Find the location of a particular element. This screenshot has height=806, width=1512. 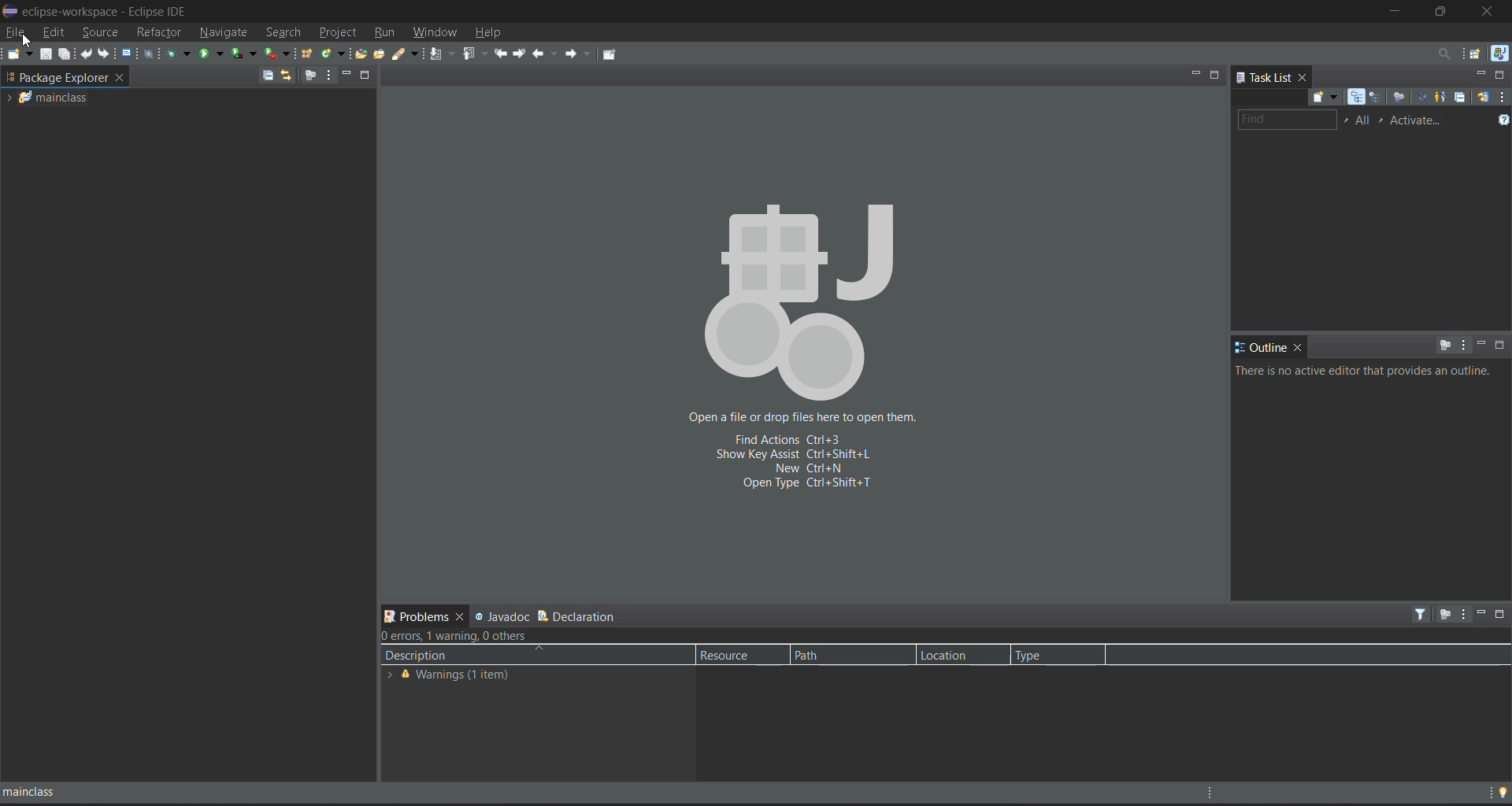

new java class is located at coordinates (335, 53).